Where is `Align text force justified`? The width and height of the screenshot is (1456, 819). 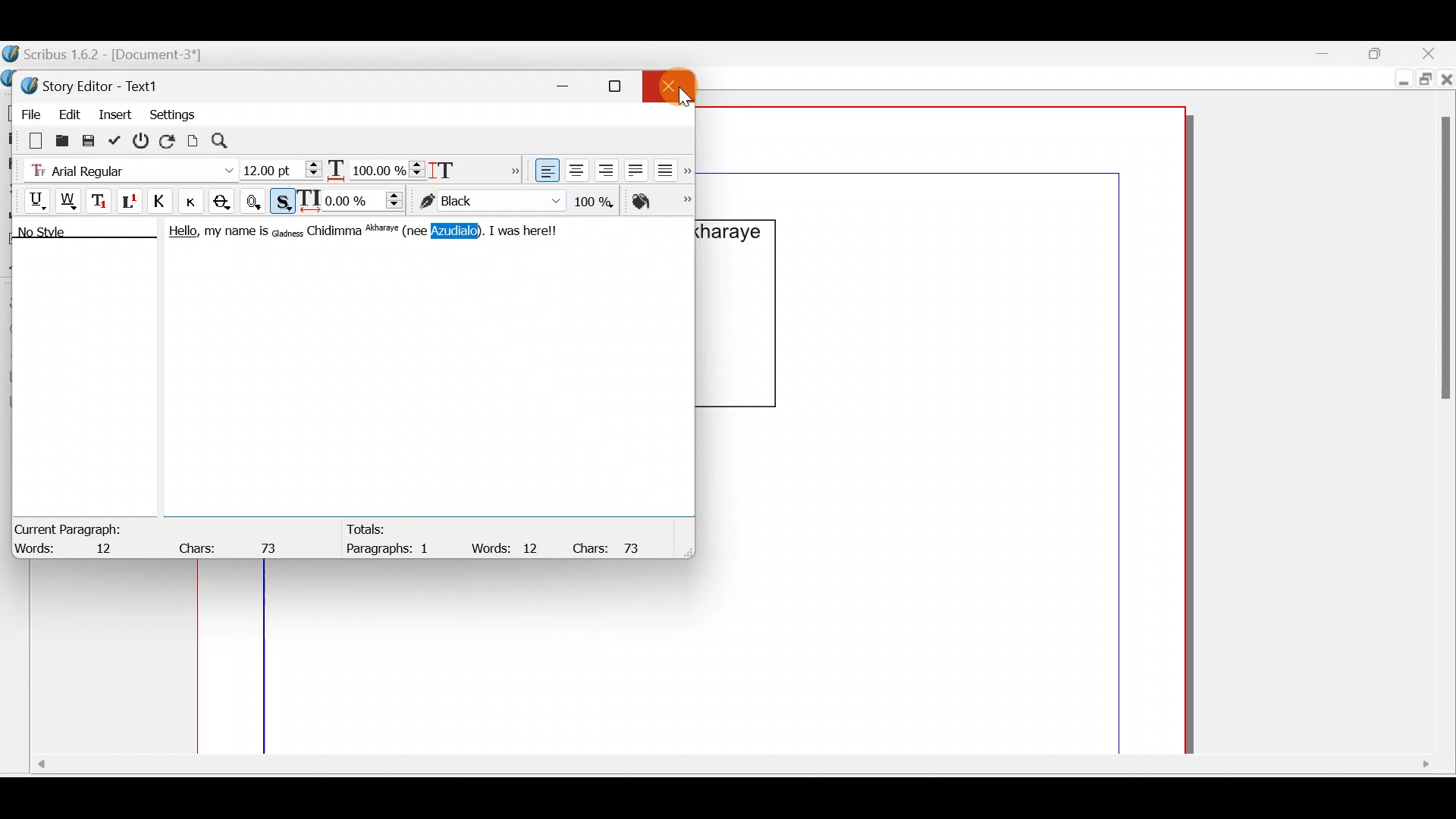 Align text force justified is located at coordinates (670, 167).